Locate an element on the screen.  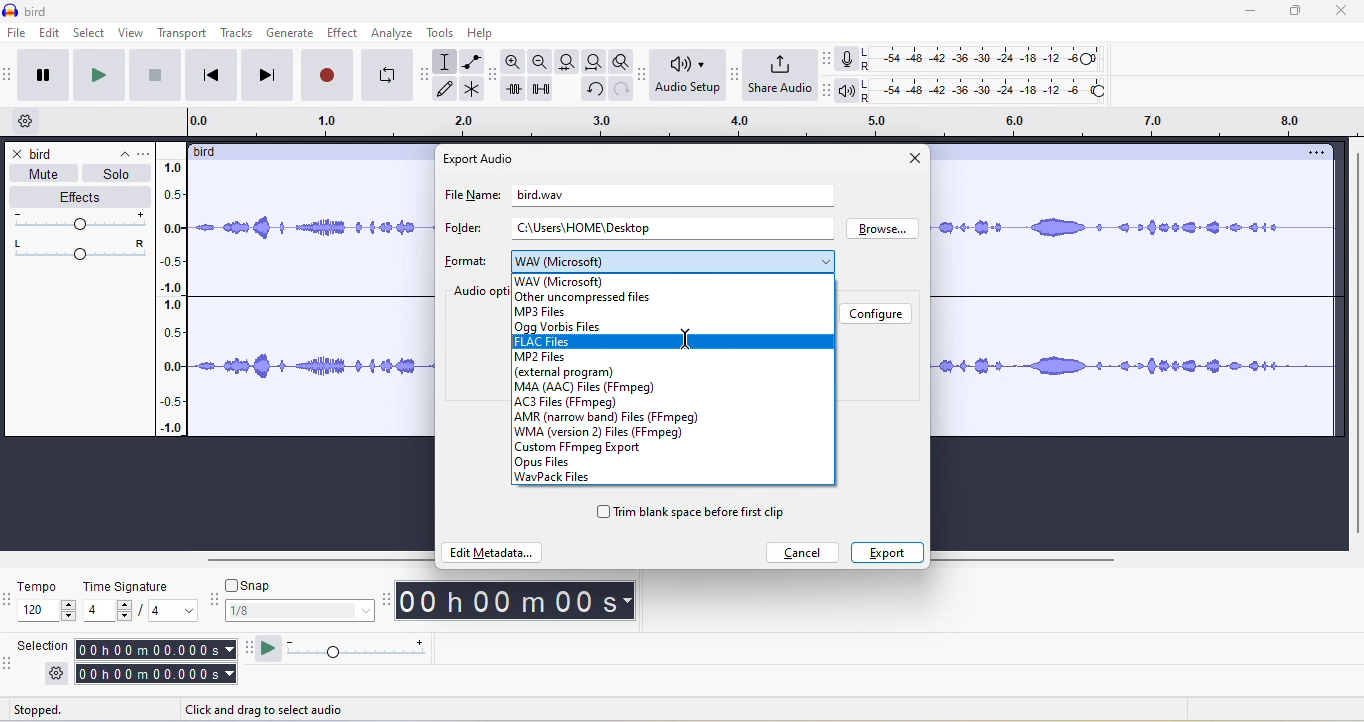
bird is located at coordinates (46, 154).